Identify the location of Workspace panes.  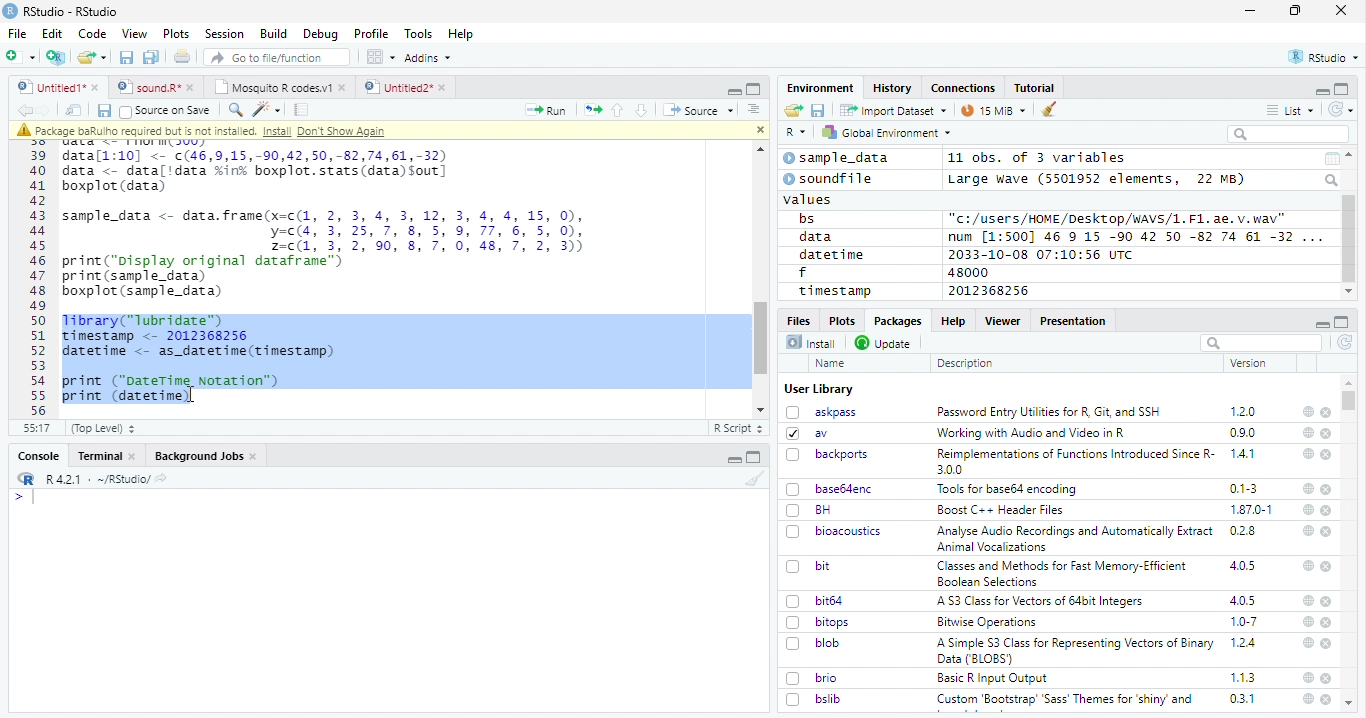
(381, 57).